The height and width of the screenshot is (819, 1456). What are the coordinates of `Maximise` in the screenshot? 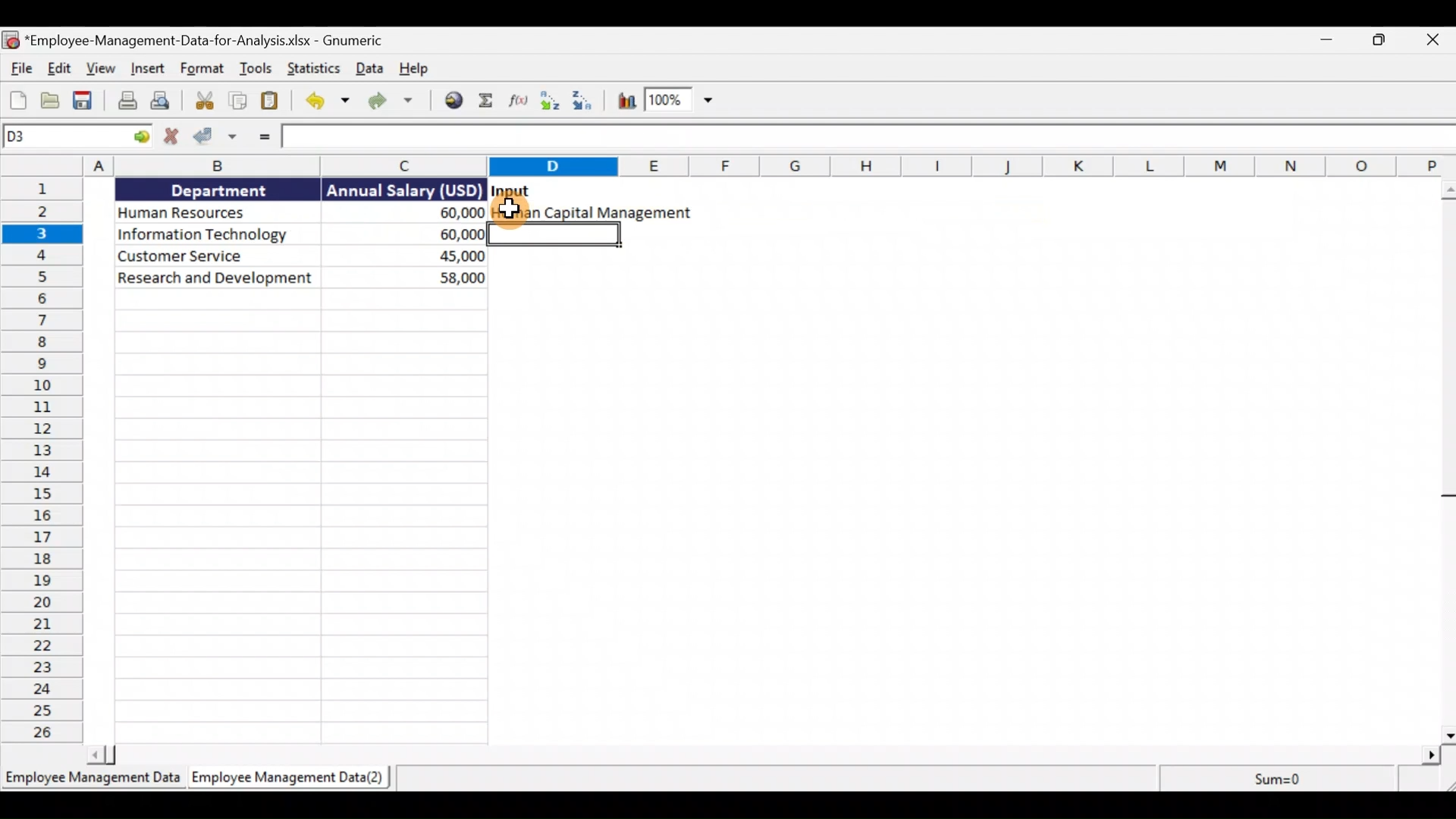 It's located at (1380, 43).